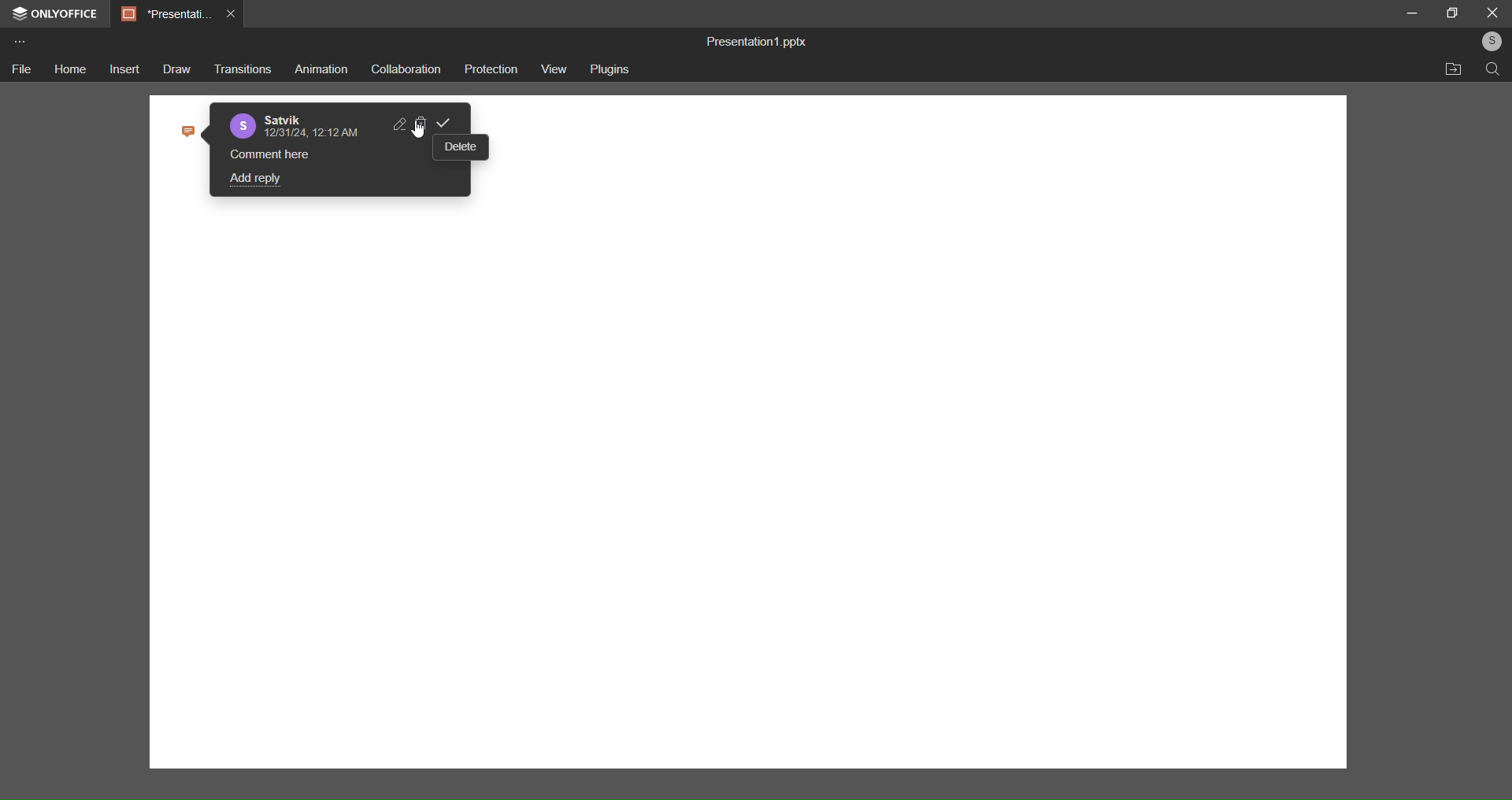  What do you see at coordinates (70, 70) in the screenshot?
I see `home` at bounding box center [70, 70].